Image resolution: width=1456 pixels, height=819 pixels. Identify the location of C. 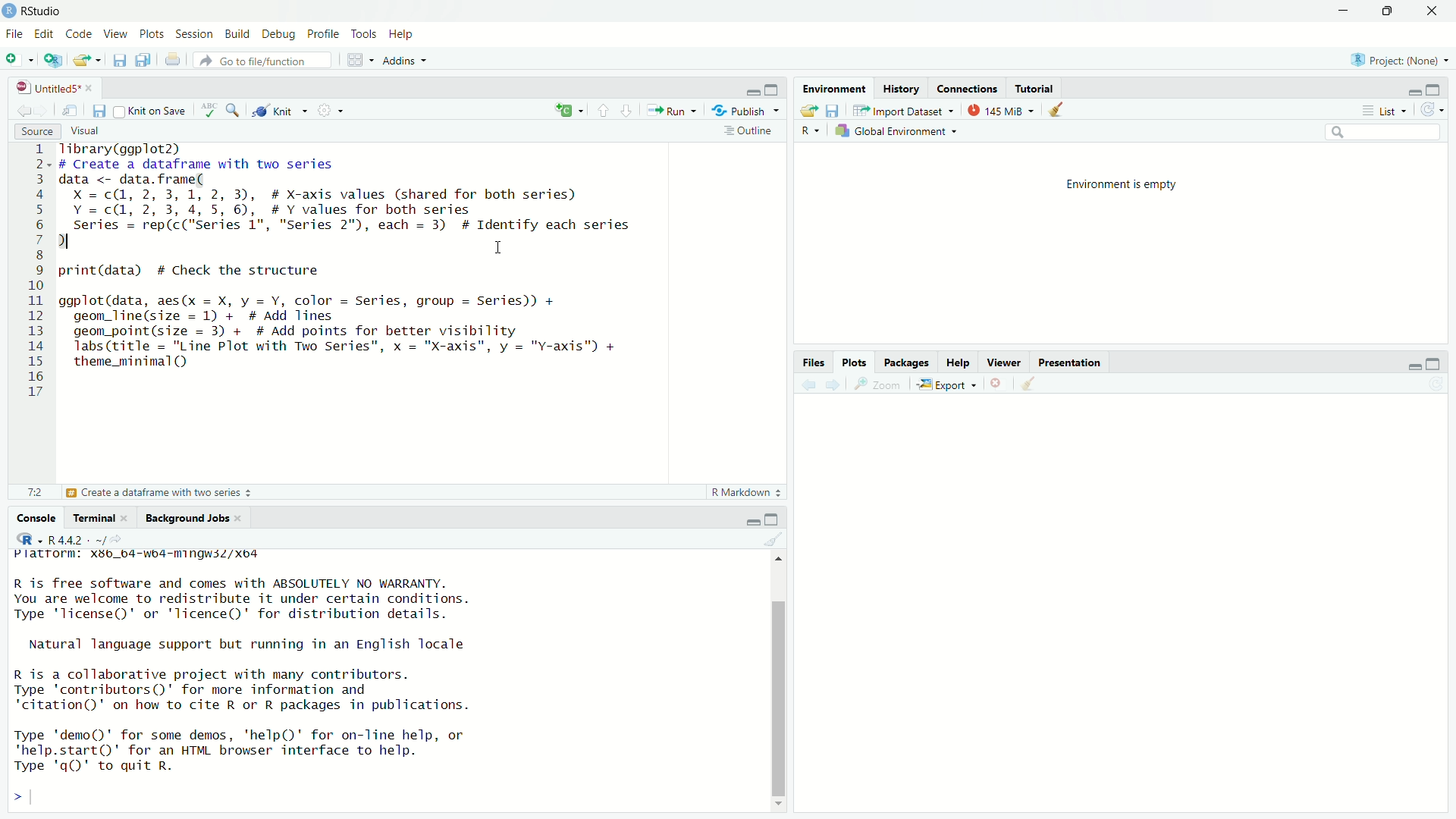
(570, 110).